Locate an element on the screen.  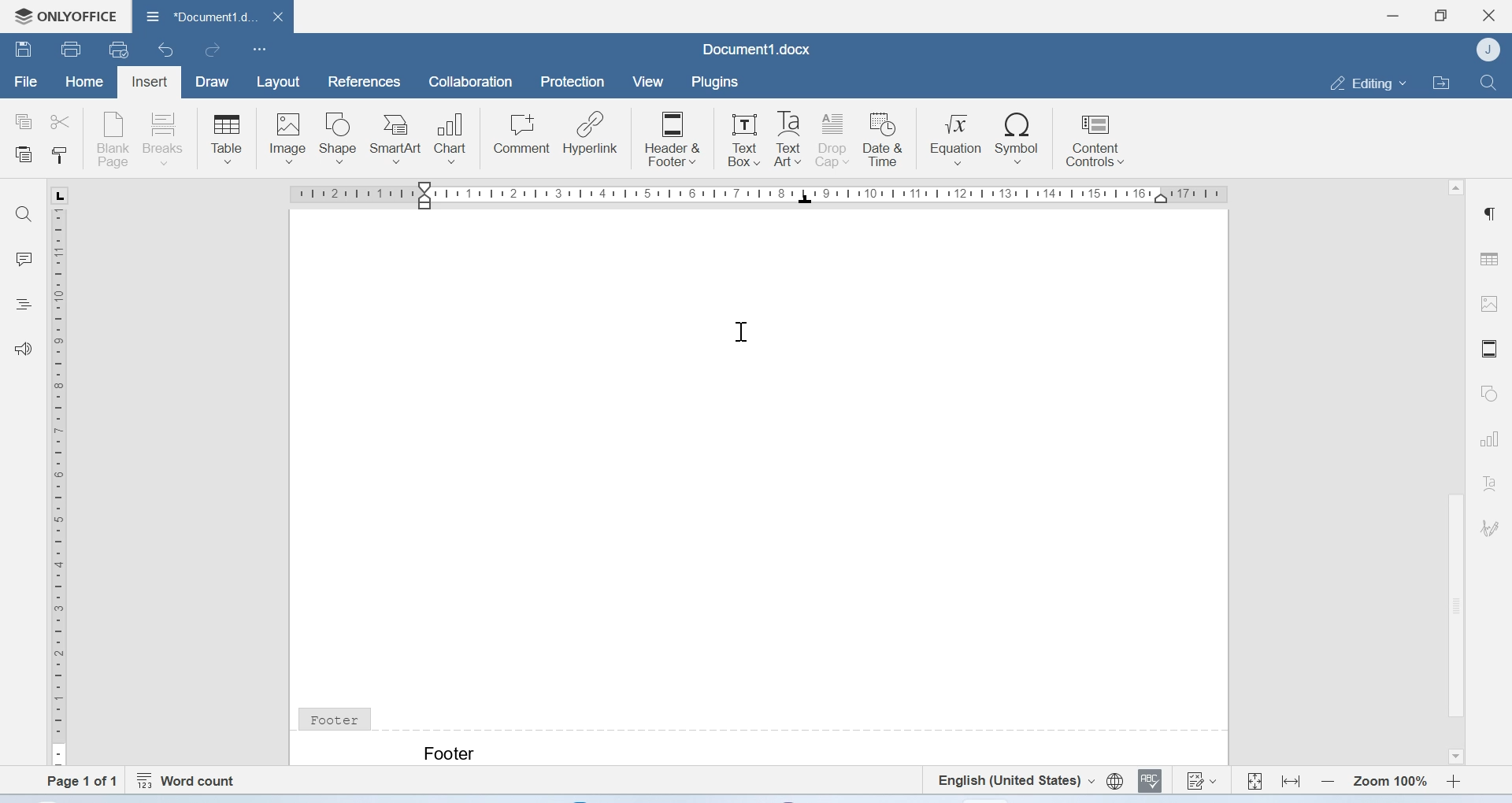
Scroll down is located at coordinates (1454, 757).